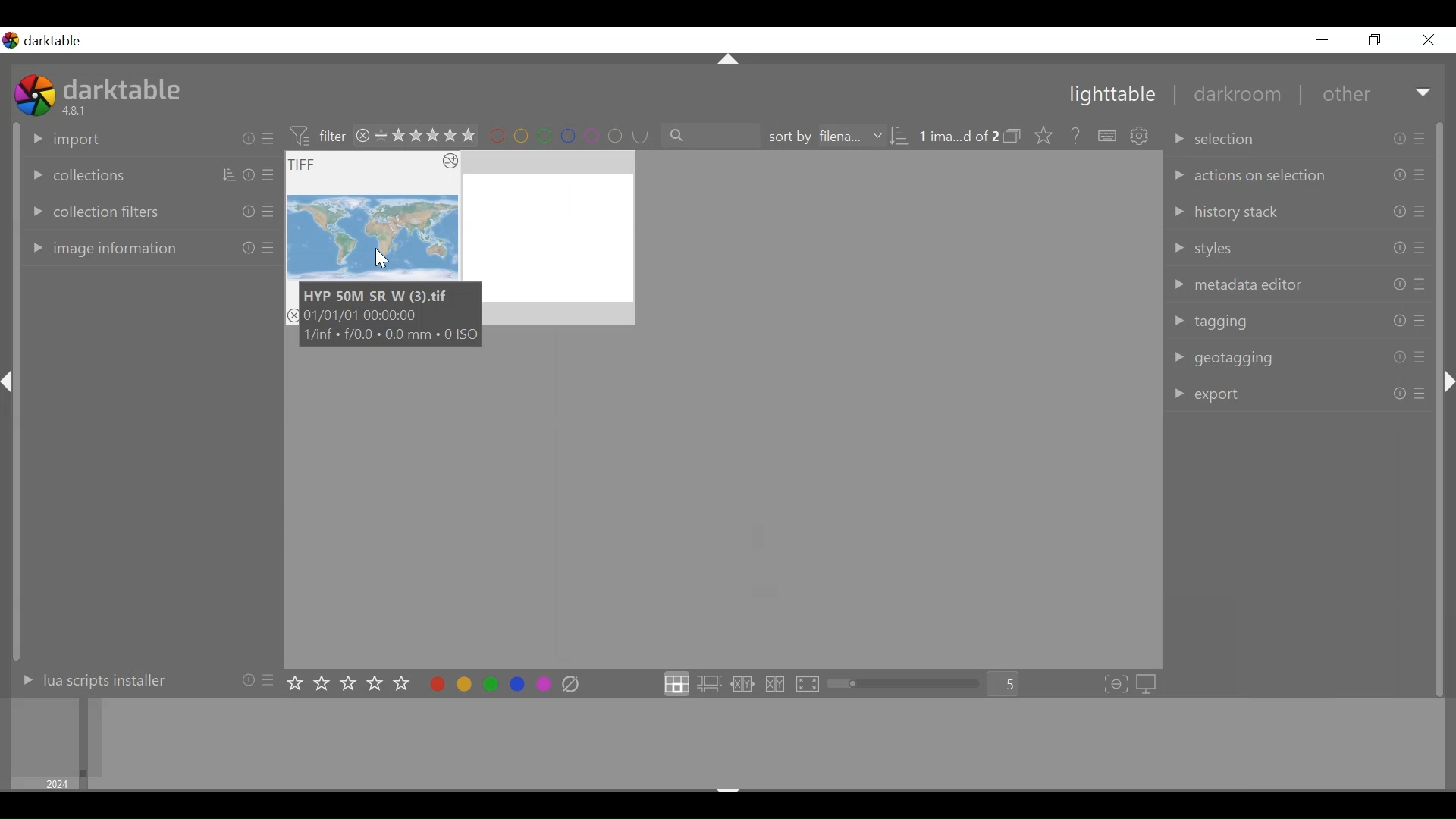 This screenshot has width=1456, height=819. Describe the element at coordinates (20, 538) in the screenshot. I see `vertical scroll bar` at that location.